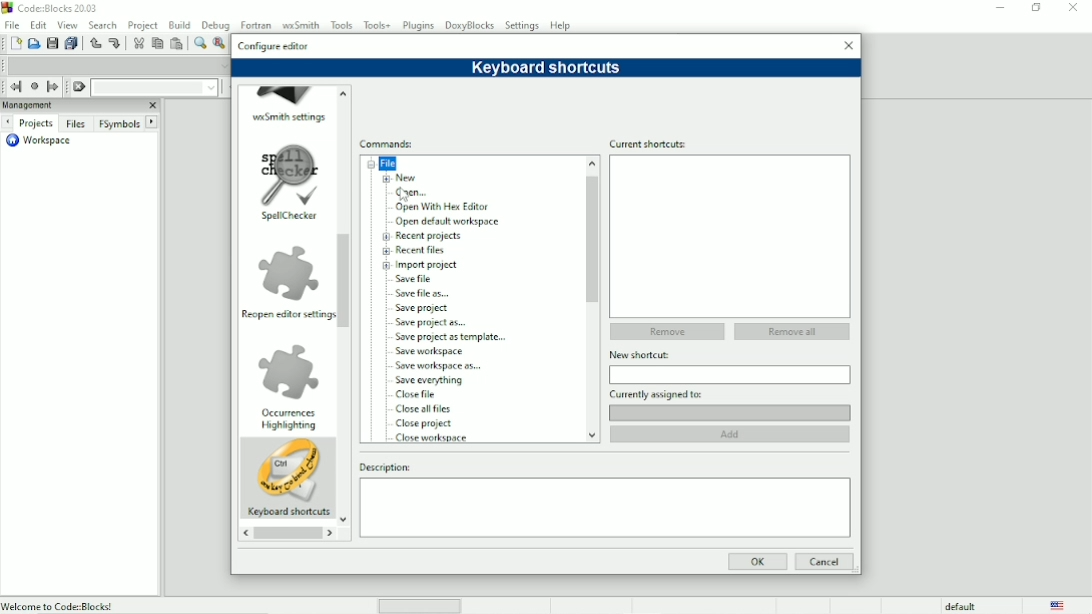  What do you see at coordinates (299, 23) in the screenshot?
I see `wxSmith` at bounding box center [299, 23].